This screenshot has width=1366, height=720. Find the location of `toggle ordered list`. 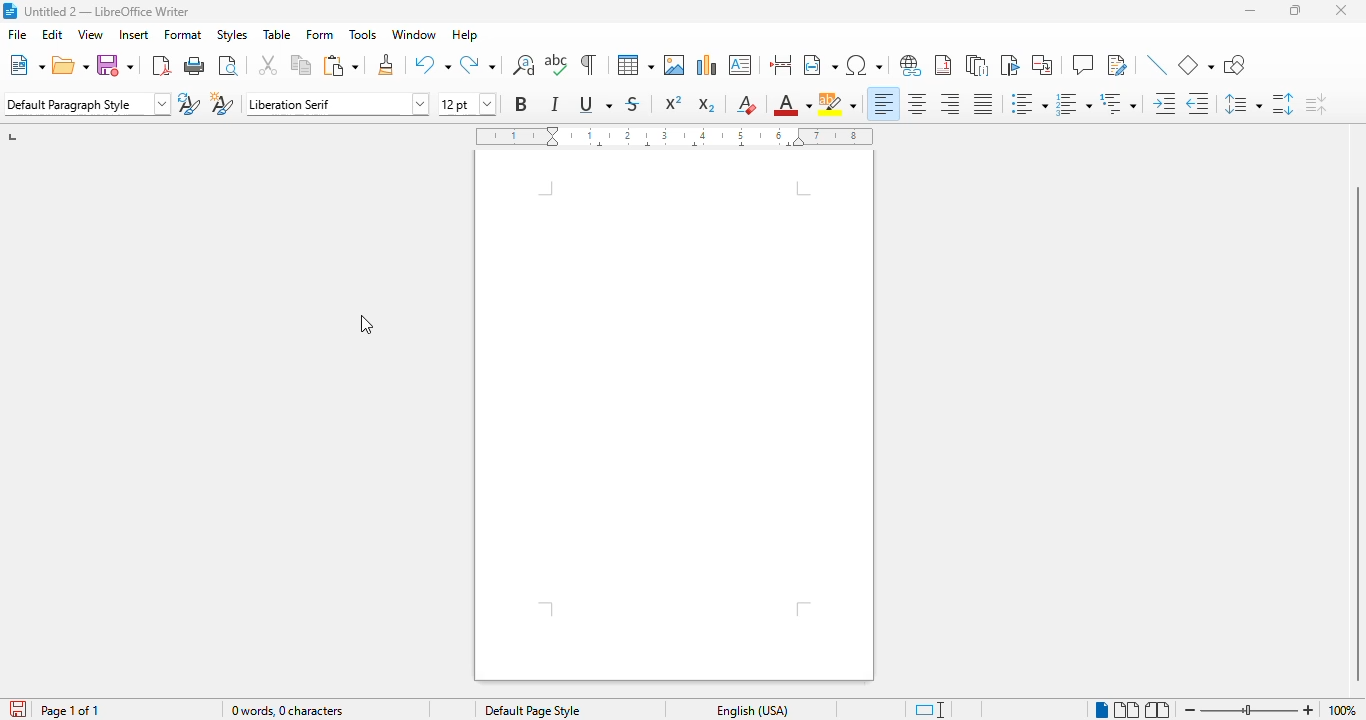

toggle ordered list is located at coordinates (1073, 104).